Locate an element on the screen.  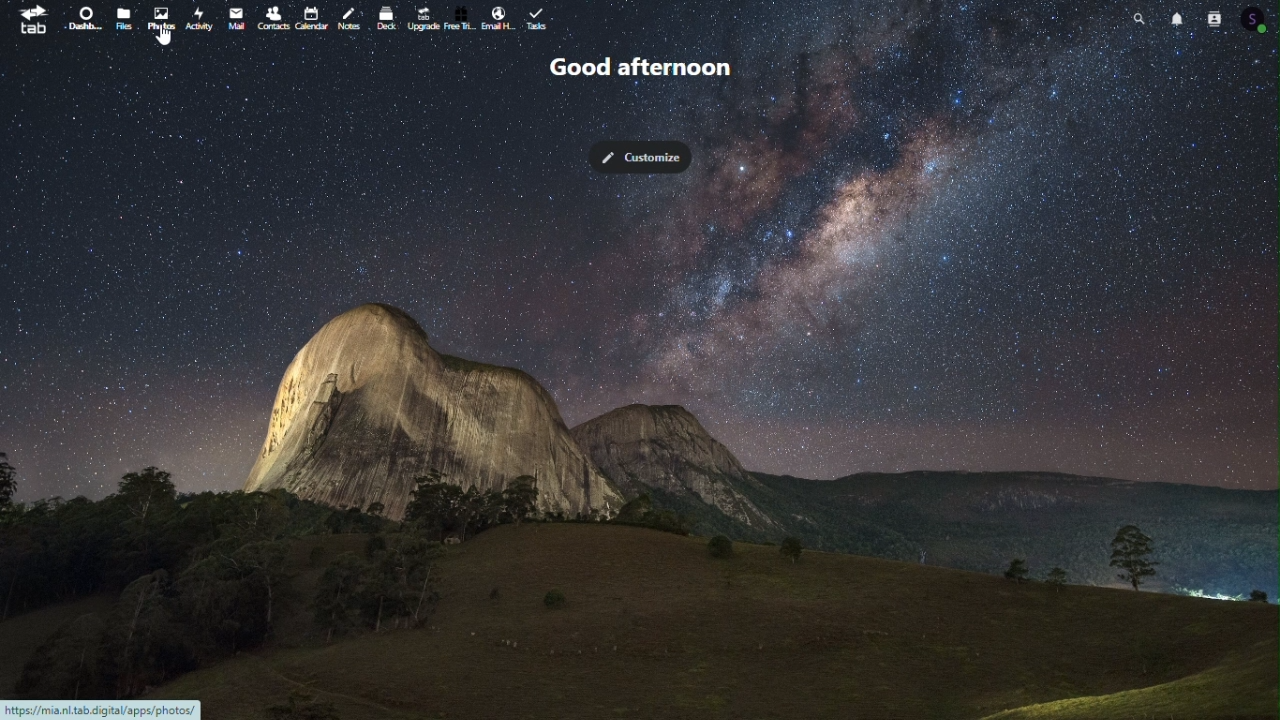
file is located at coordinates (123, 20).